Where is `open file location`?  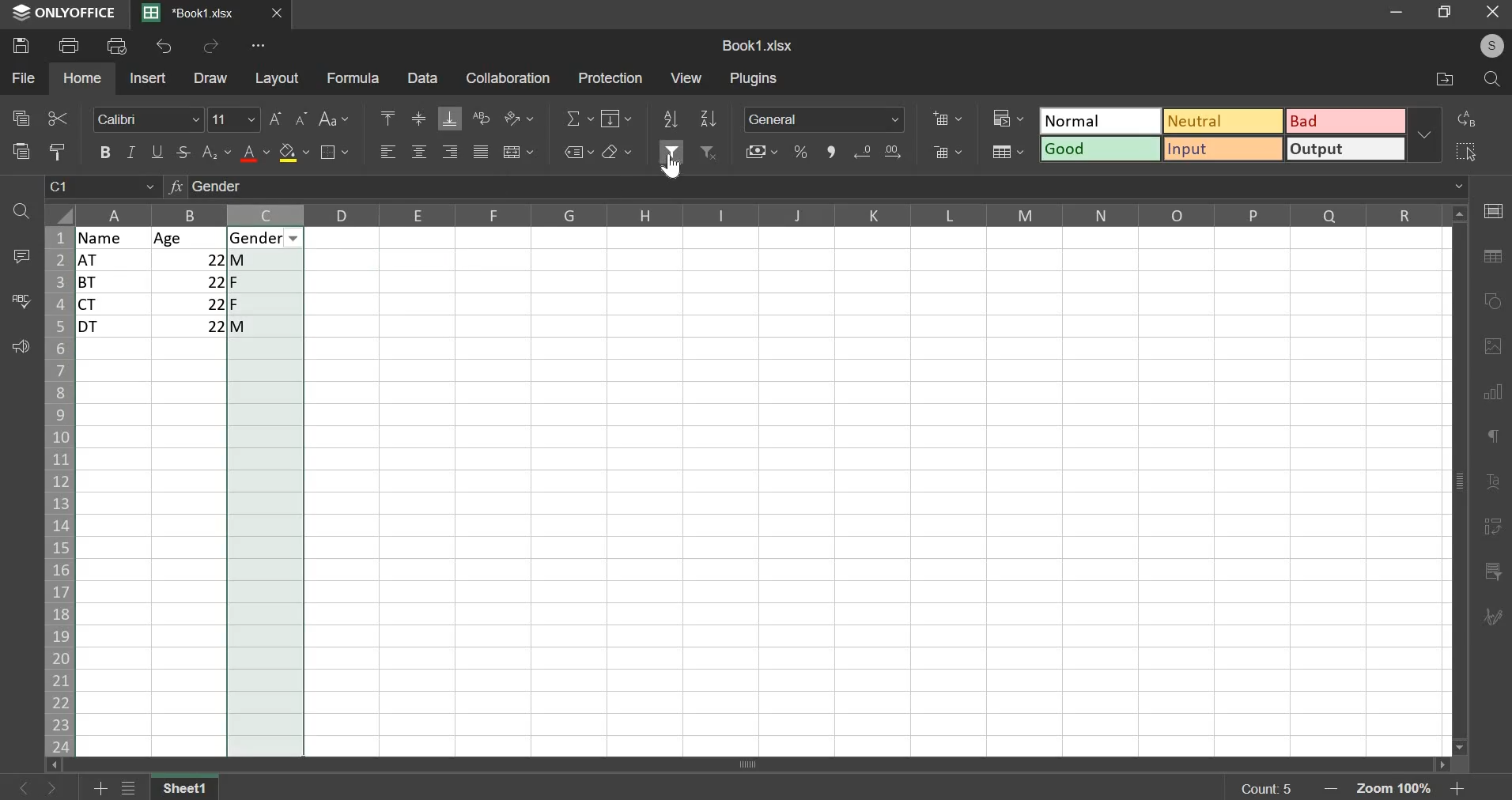
open file location is located at coordinates (1447, 80).